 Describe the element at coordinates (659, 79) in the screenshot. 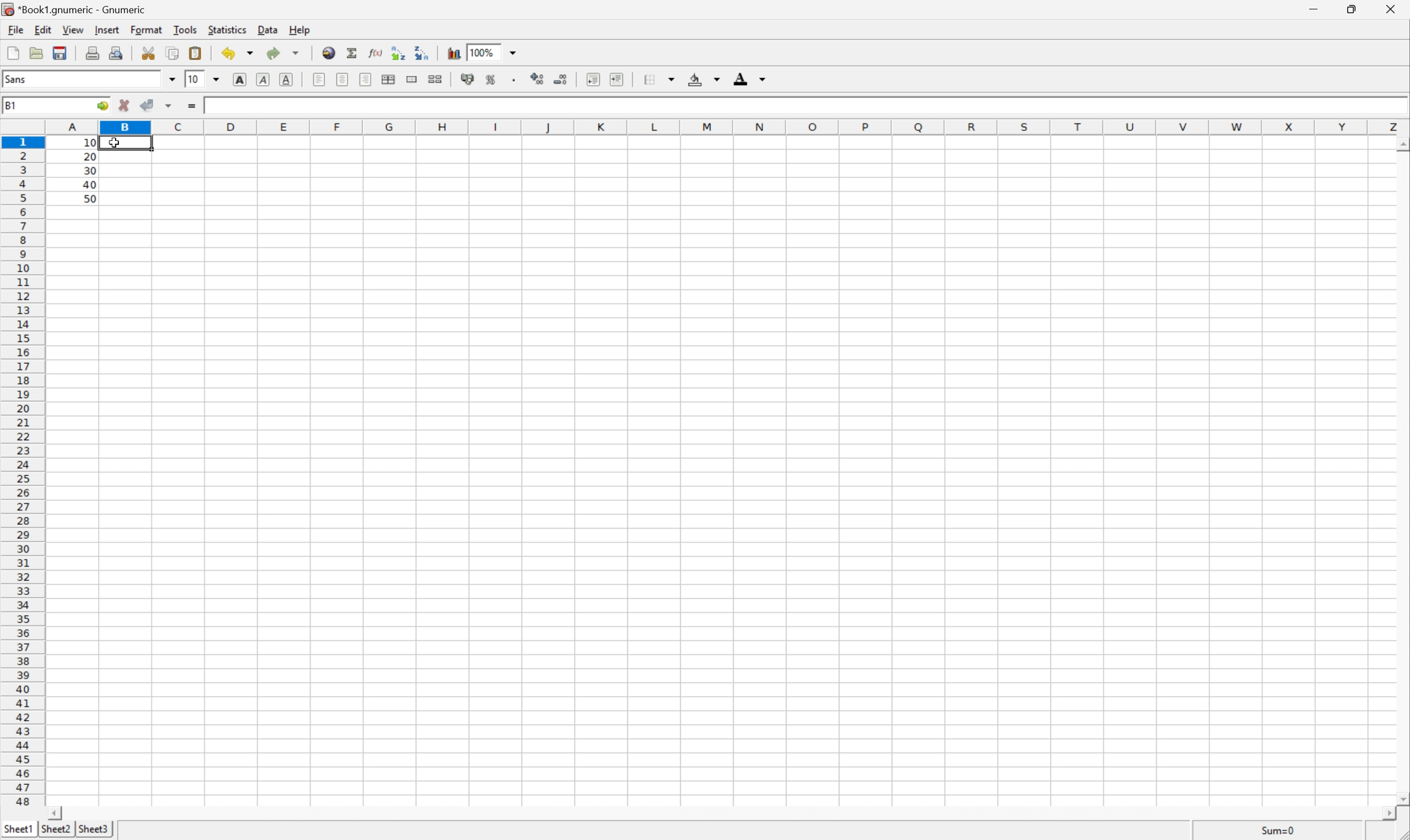

I see `Borders` at that location.